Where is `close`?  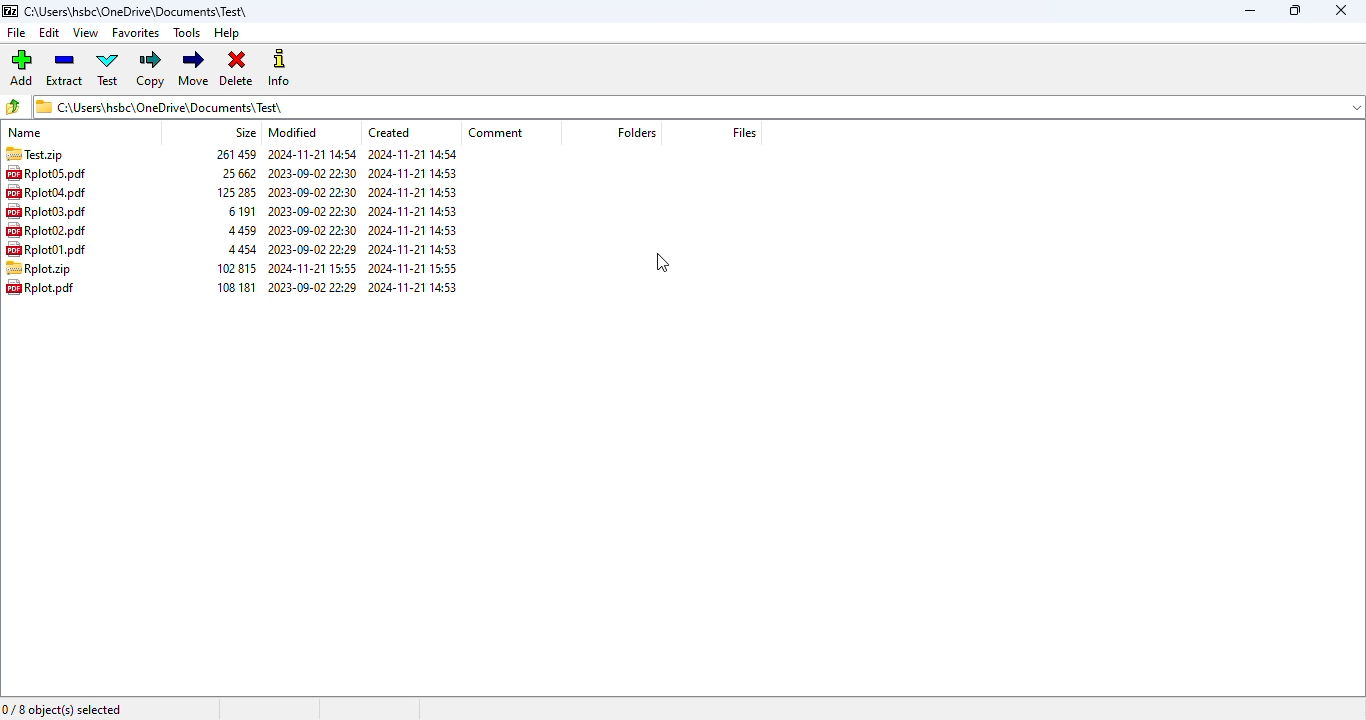 close is located at coordinates (1343, 10).